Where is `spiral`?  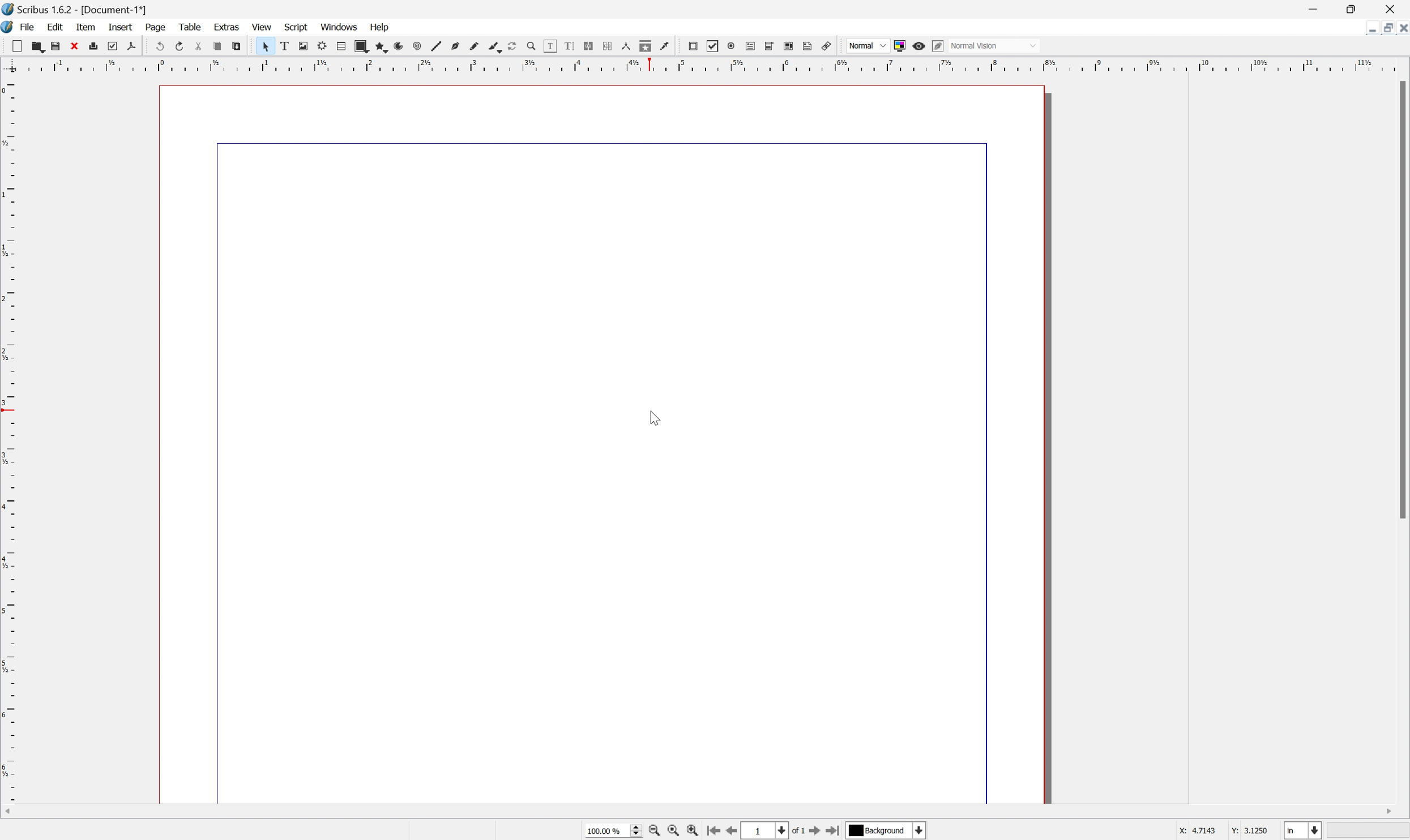
spiral is located at coordinates (413, 46).